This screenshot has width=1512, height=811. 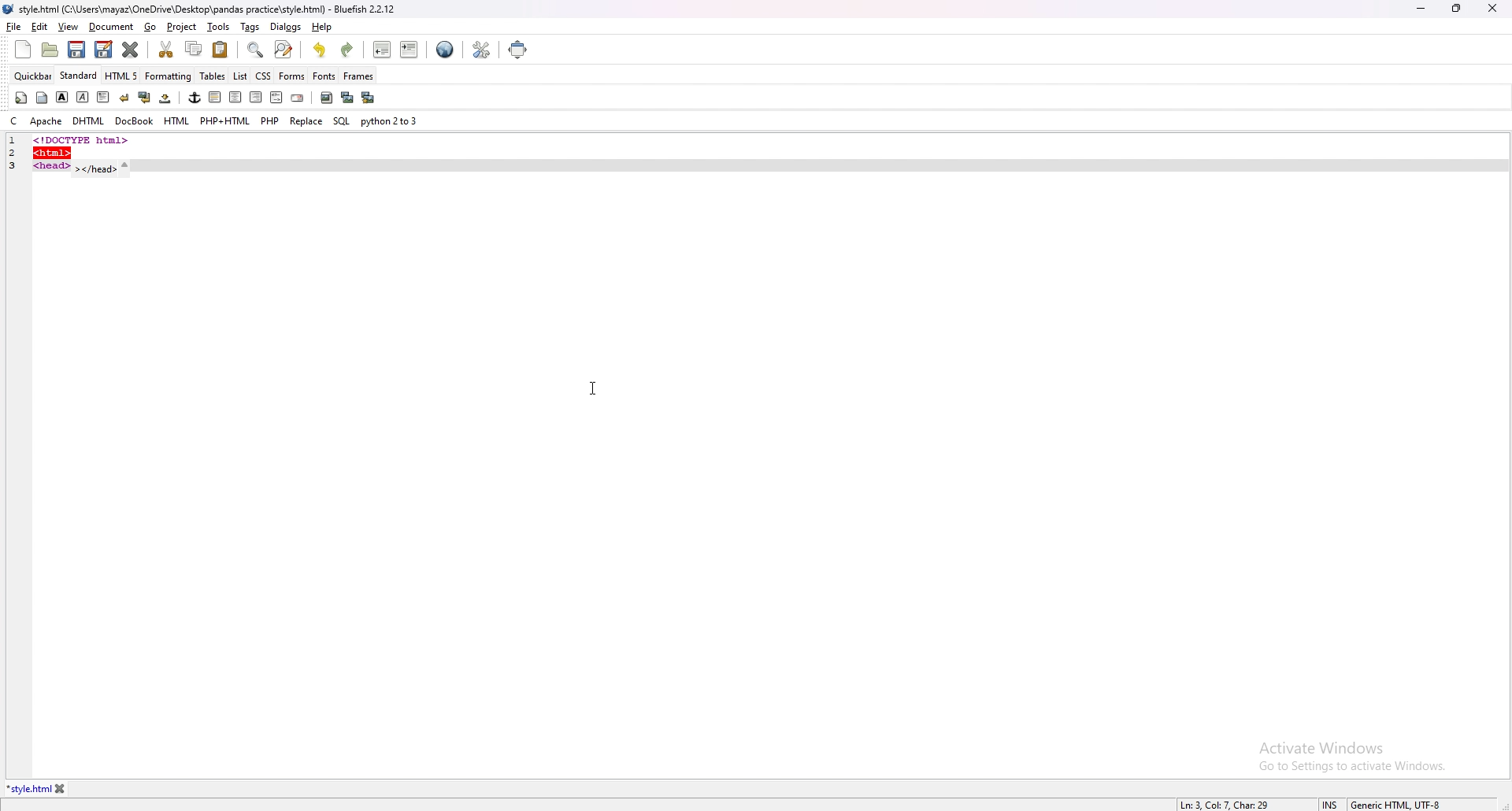 What do you see at coordinates (13, 121) in the screenshot?
I see `c` at bounding box center [13, 121].